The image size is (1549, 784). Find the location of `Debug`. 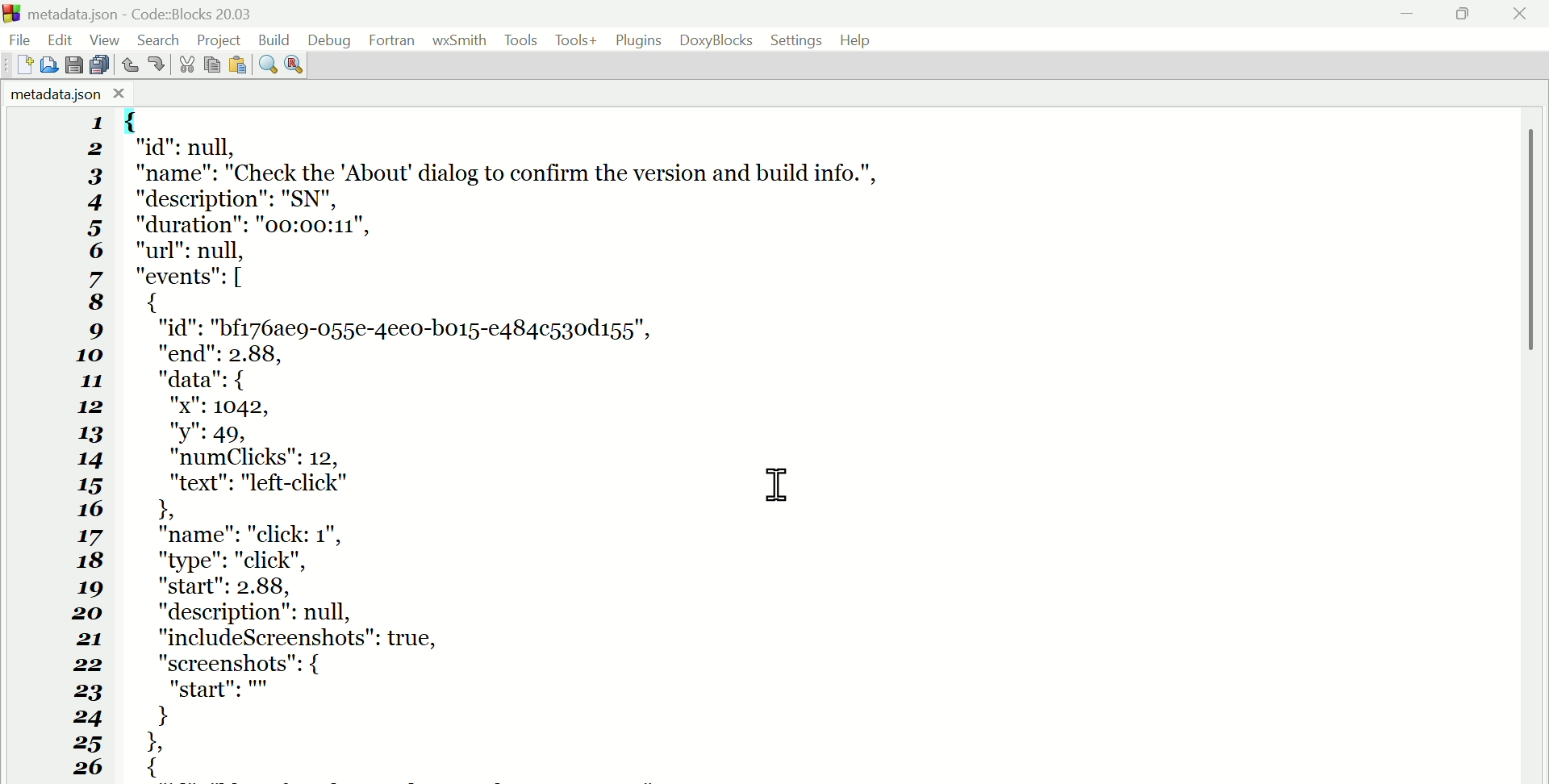

Debug is located at coordinates (328, 37).